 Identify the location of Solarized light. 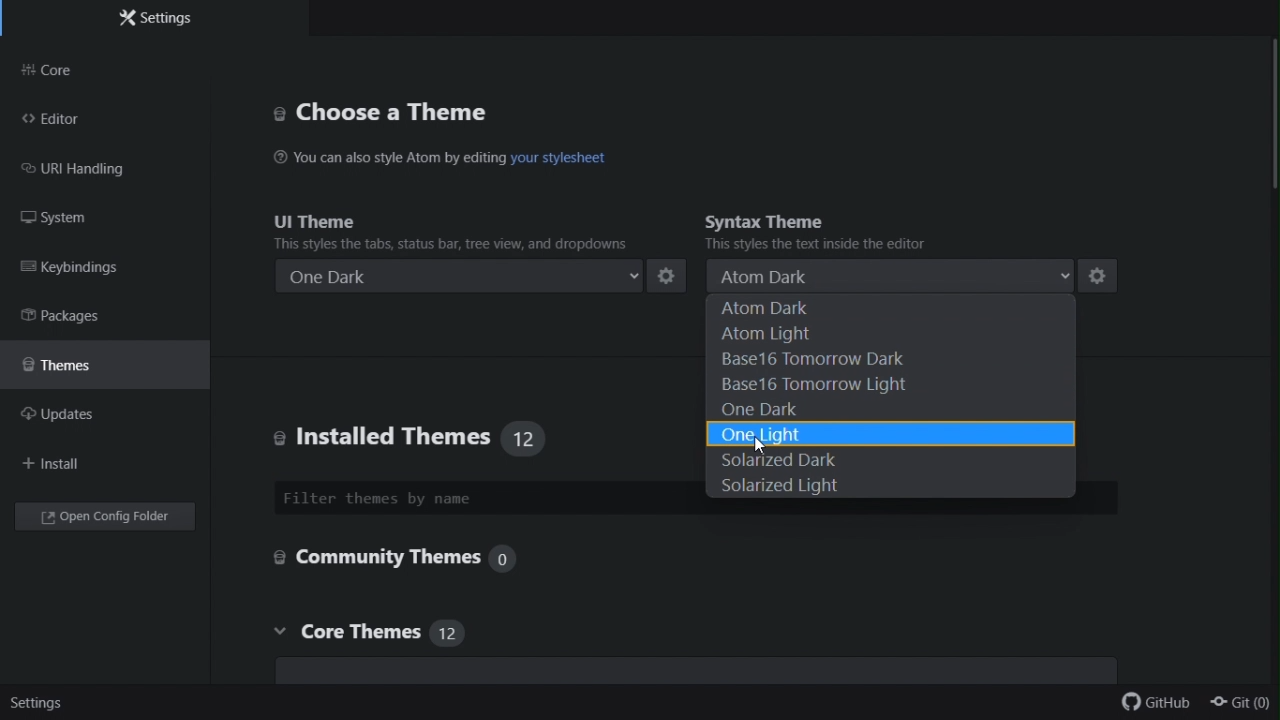
(897, 483).